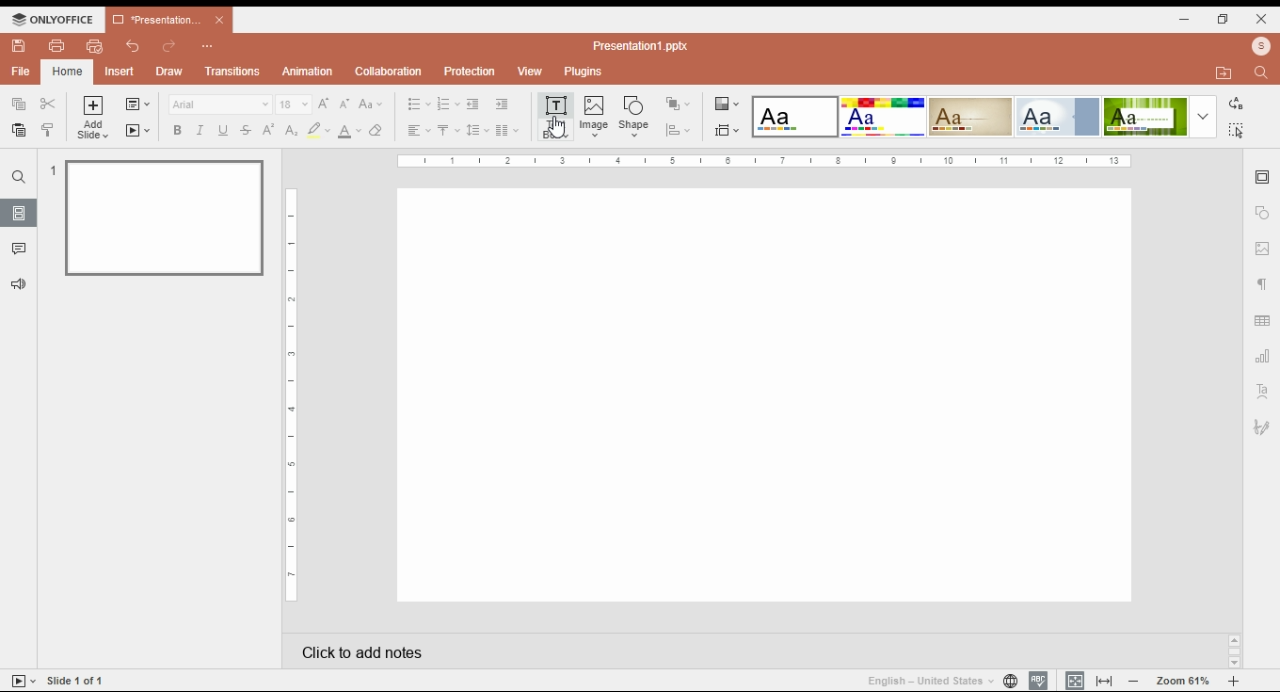 The width and height of the screenshot is (1280, 692). Describe the element at coordinates (1260, 18) in the screenshot. I see `close window` at that location.